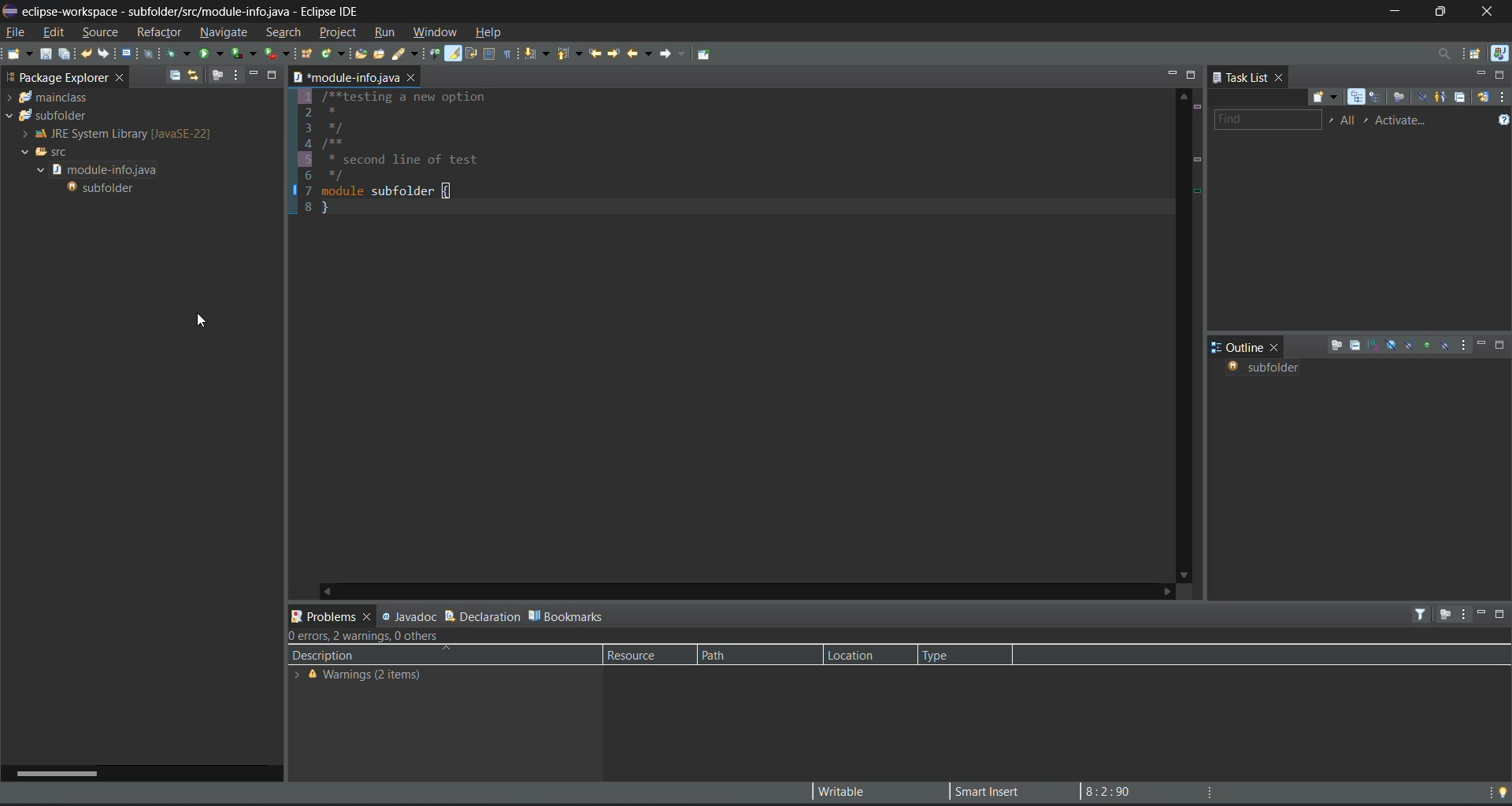 The image size is (1512, 806). What do you see at coordinates (1354, 346) in the screenshot?
I see `collapse all` at bounding box center [1354, 346].